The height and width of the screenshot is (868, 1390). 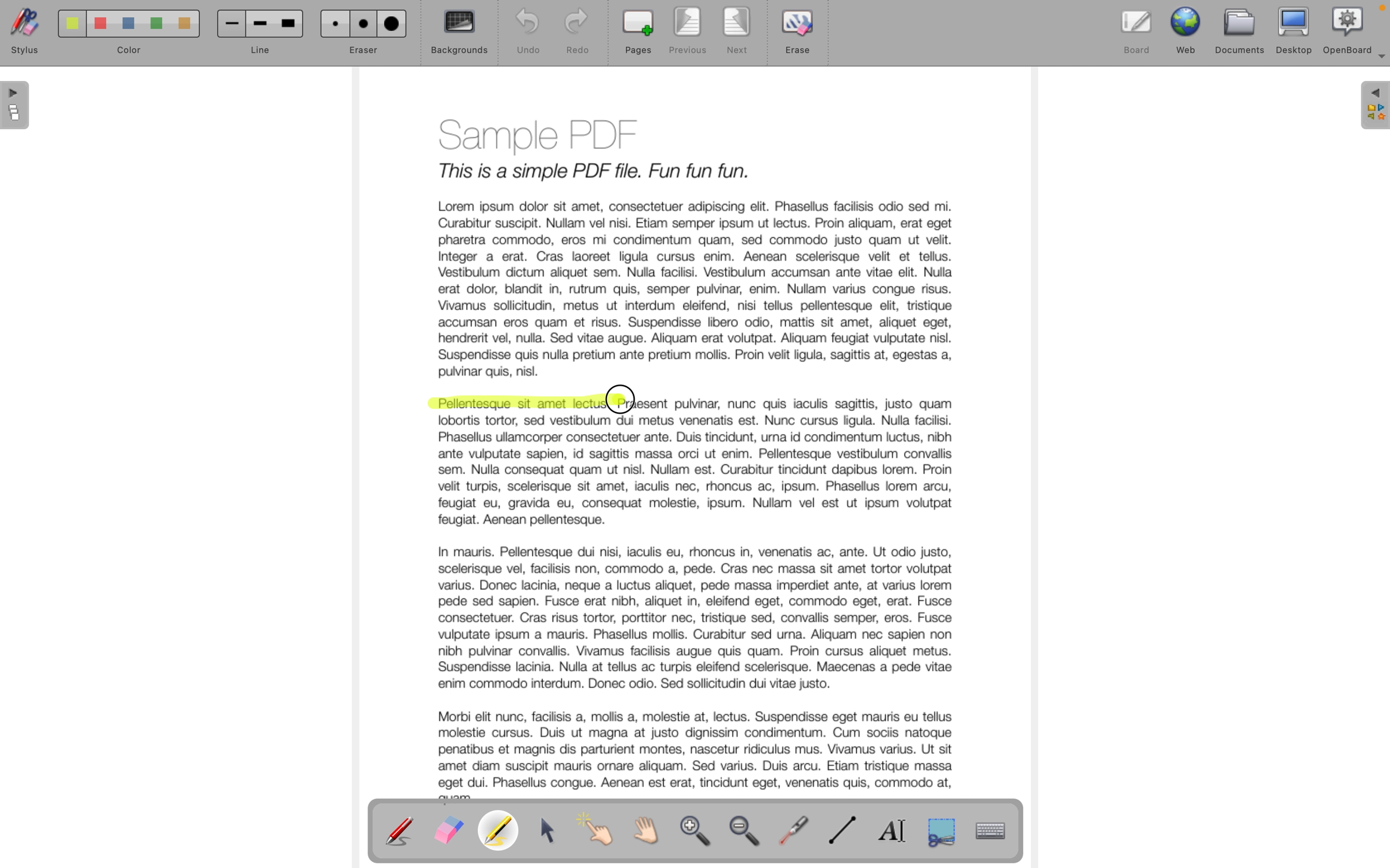 I want to click on sidebar, so click(x=1373, y=106).